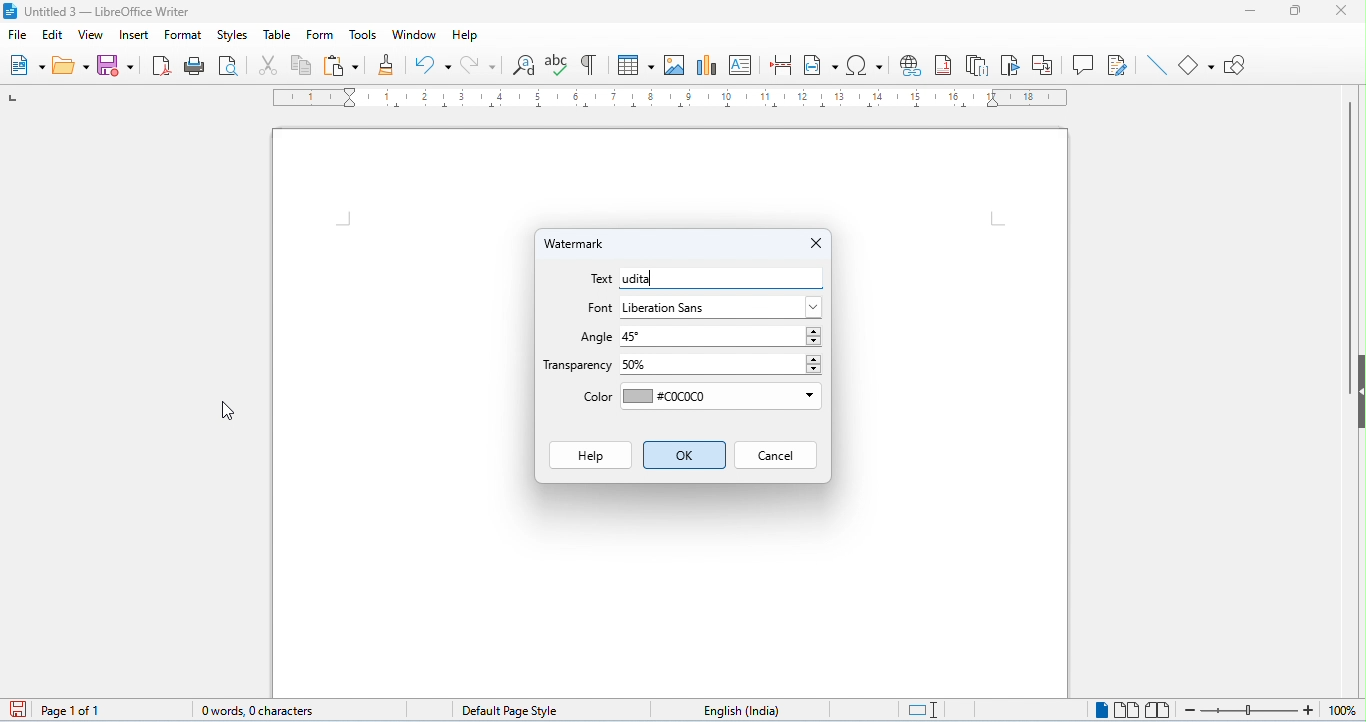 The height and width of the screenshot is (722, 1366). Describe the element at coordinates (924, 711) in the screenshot. I see `standard selection` at that location.